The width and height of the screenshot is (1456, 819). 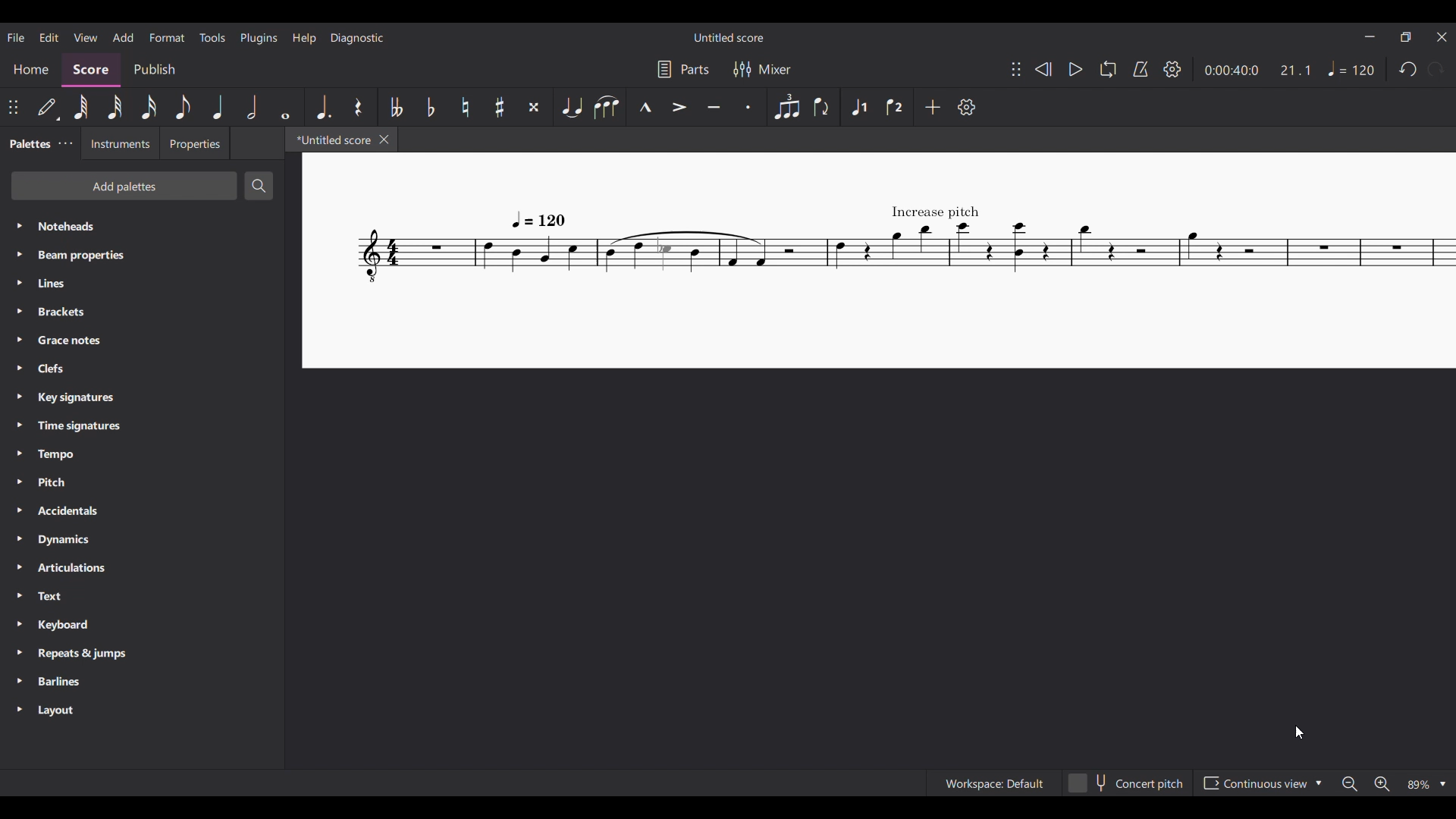 I want to click on Tuplet, so click(x=786, y=107).